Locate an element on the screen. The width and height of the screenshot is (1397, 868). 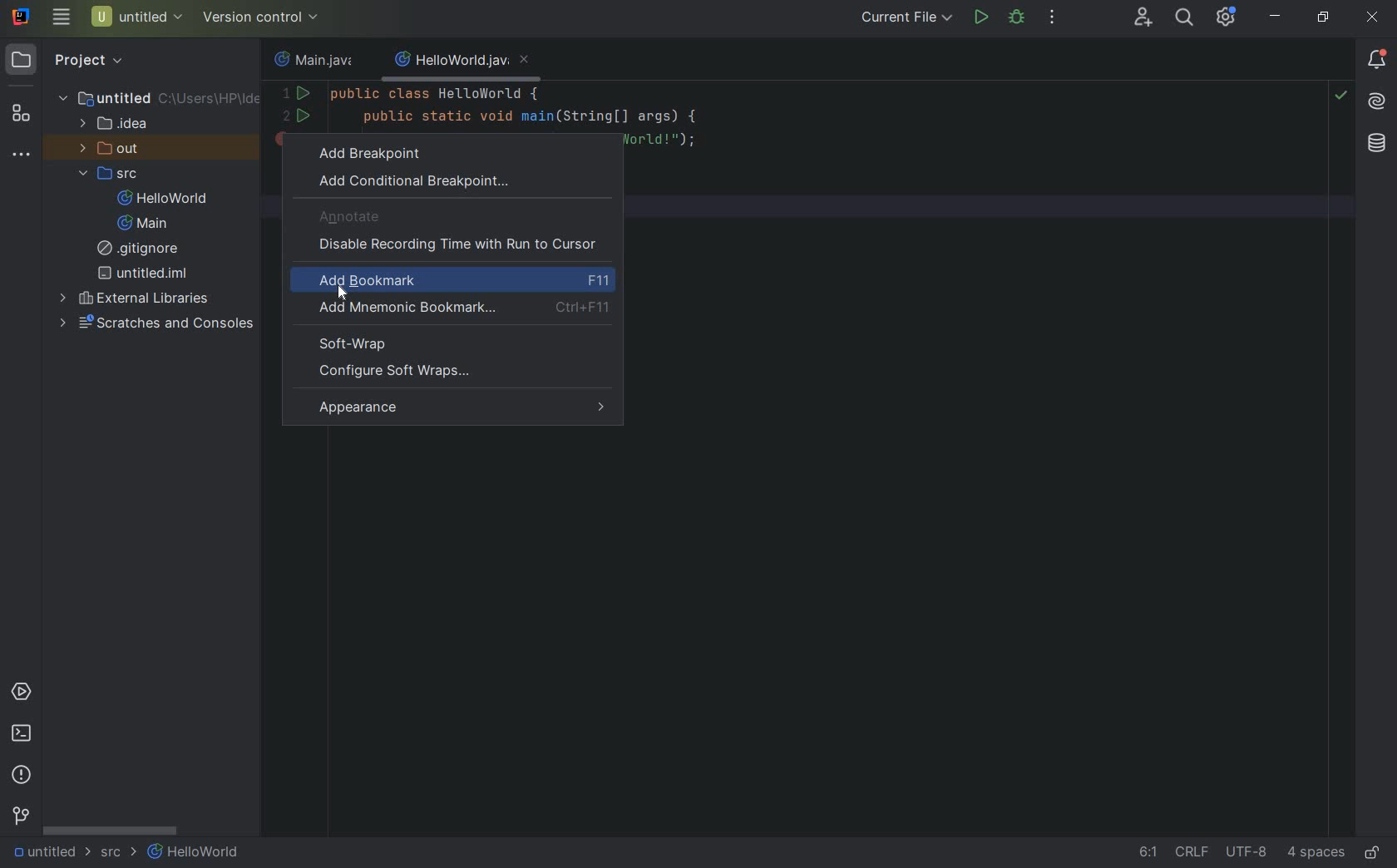
add conditional breakpoint is located at coordinates (415, 181).